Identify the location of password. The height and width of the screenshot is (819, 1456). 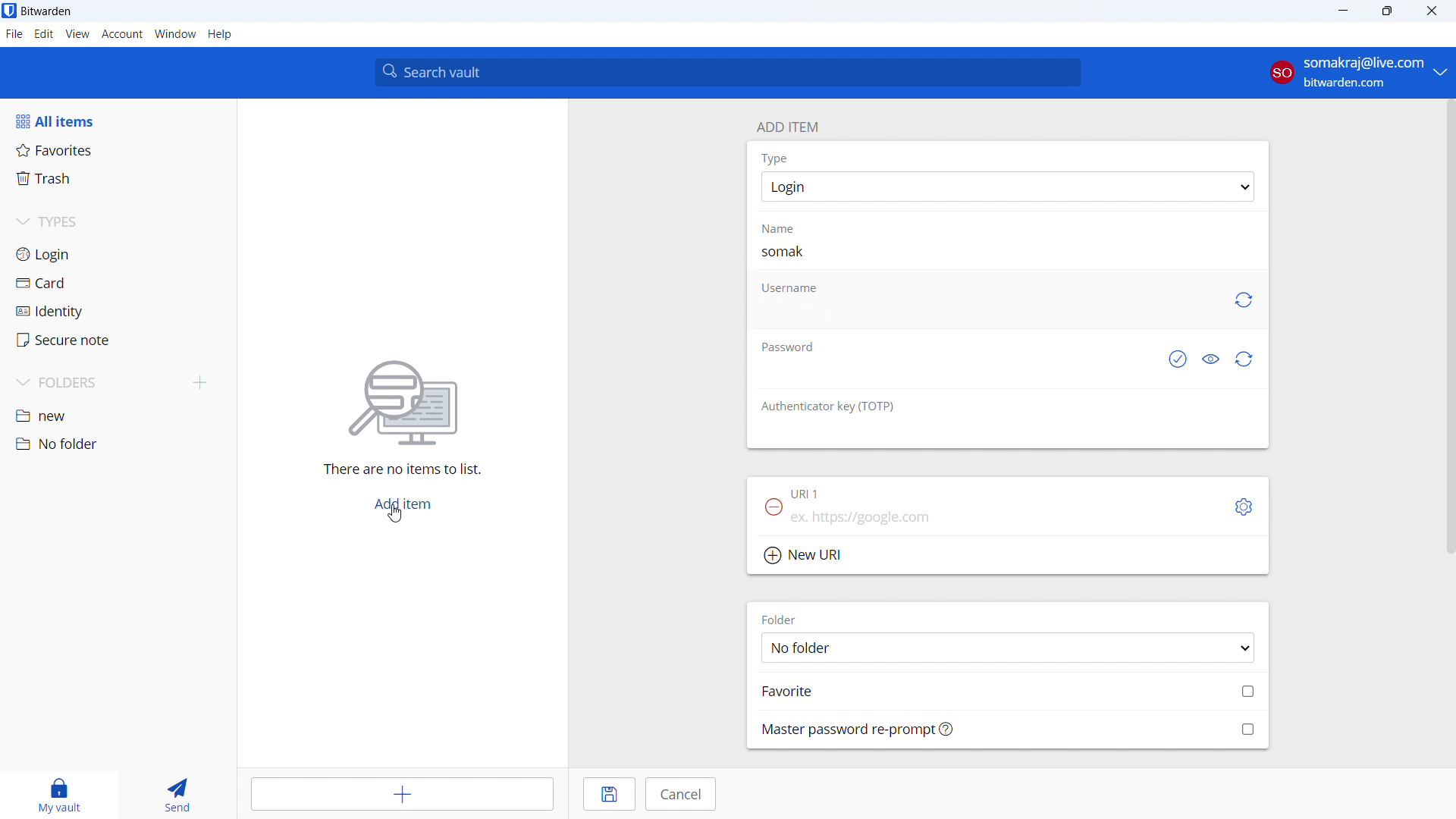
(786, 345).